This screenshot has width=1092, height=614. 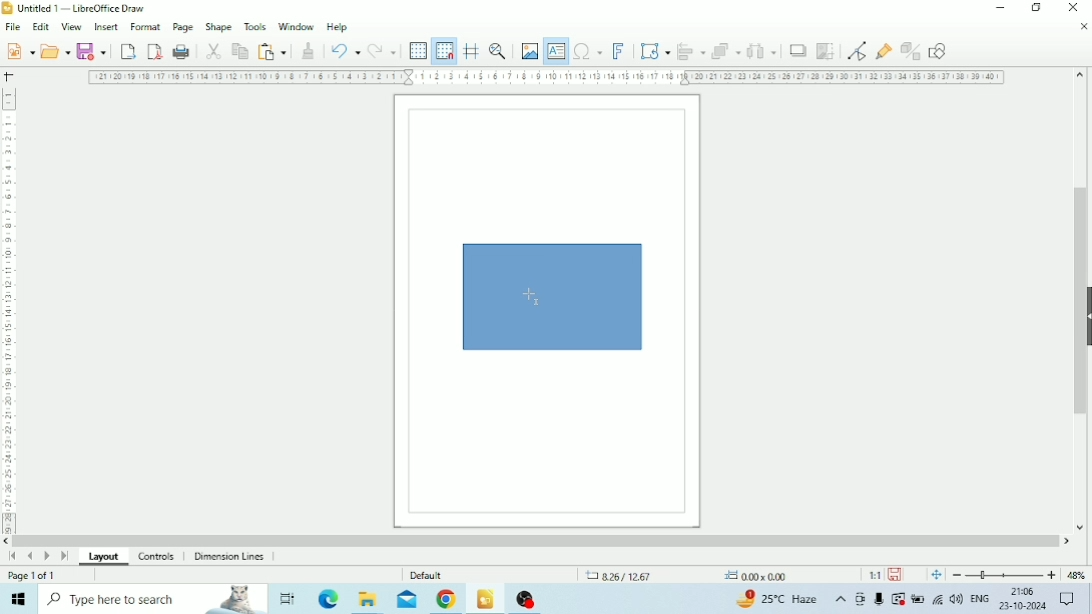 What do you see at coordinates (687, 574) in the screenshot?
I see `Cursor position` at bounding box center [687, 574].